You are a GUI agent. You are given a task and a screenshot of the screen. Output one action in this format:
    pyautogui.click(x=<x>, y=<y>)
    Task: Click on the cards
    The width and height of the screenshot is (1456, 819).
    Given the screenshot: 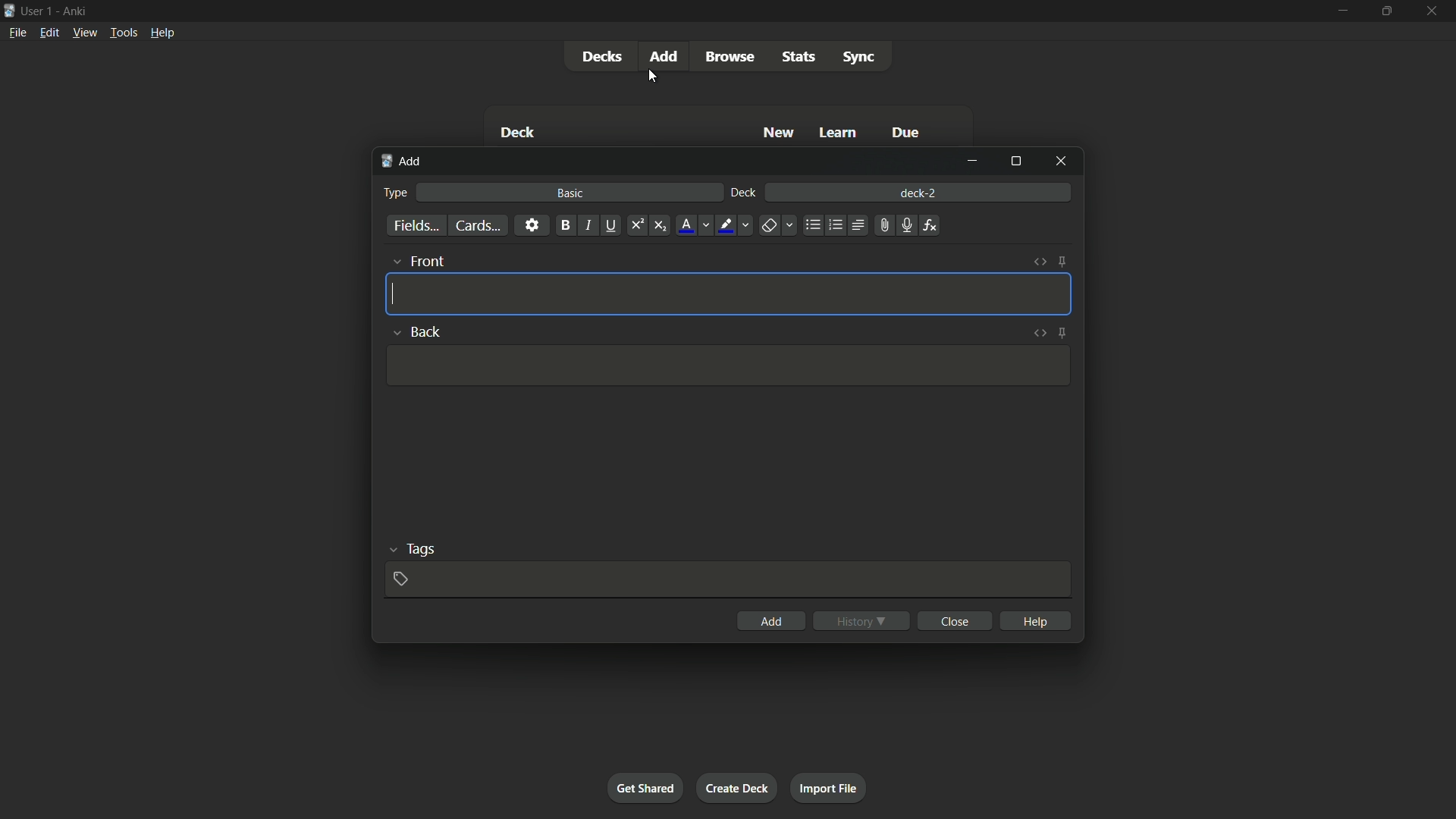 What is the action you would take?
    pyautogui.click(x=479, y=225)
    